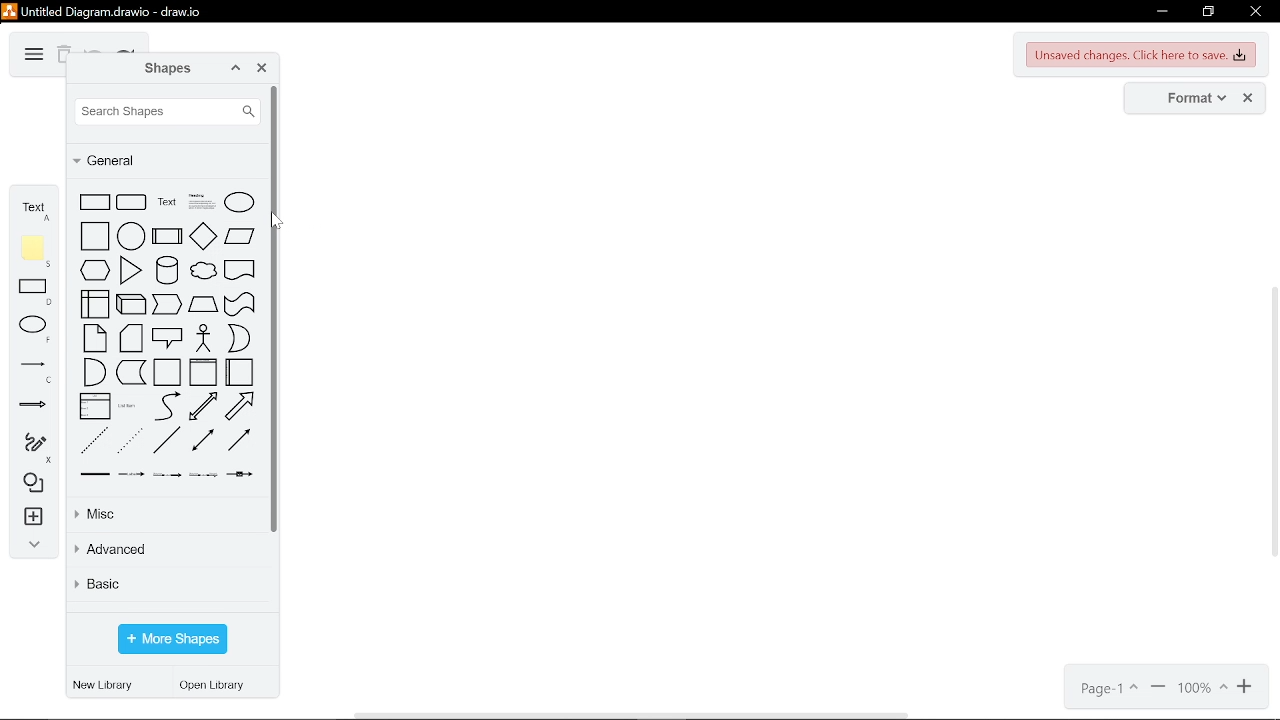  Describe the element at coordinates (240, 304) in the screenshot. I see `tape` at that location.